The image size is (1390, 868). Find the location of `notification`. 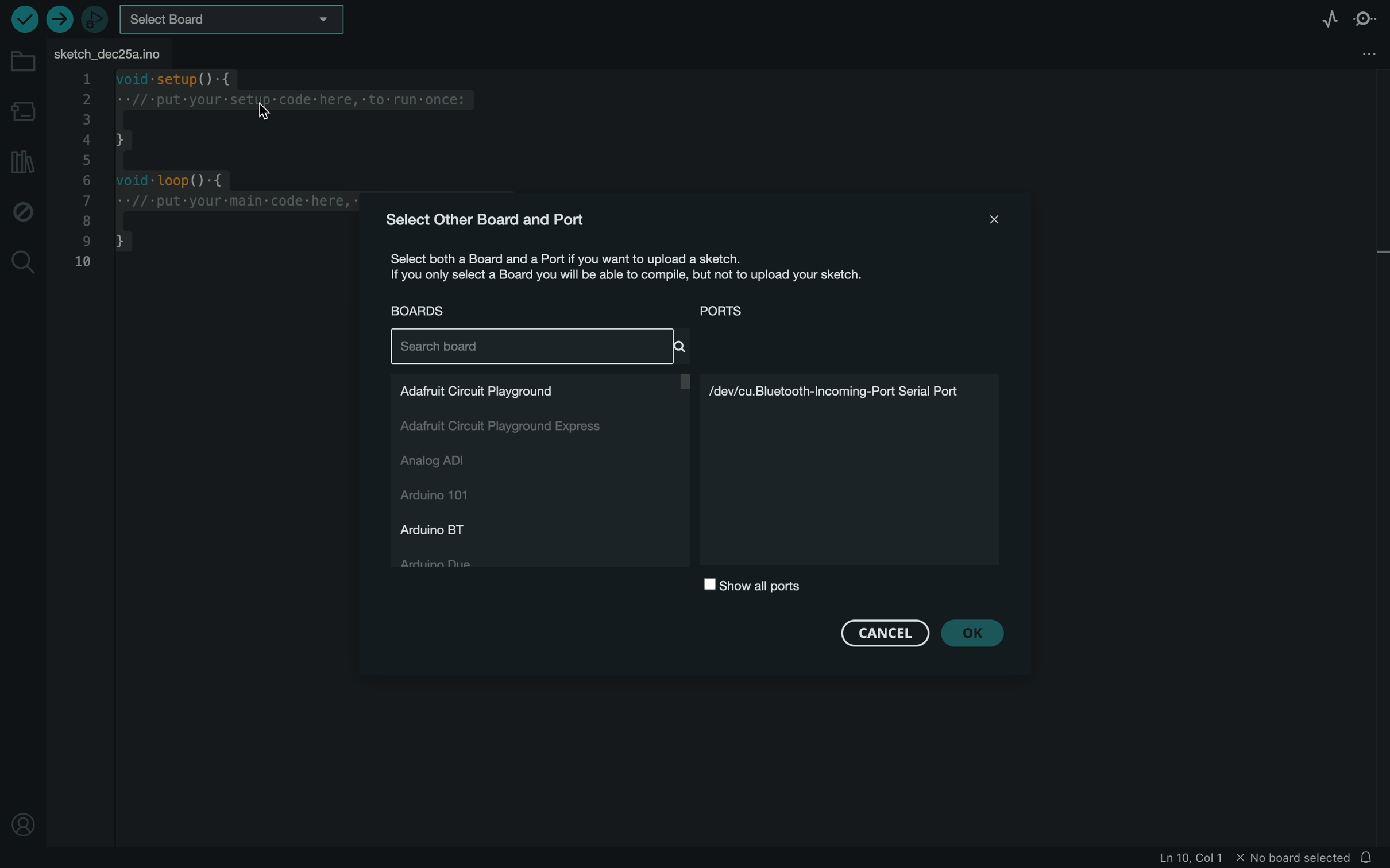

notification is located at coordinates (1372, 856).